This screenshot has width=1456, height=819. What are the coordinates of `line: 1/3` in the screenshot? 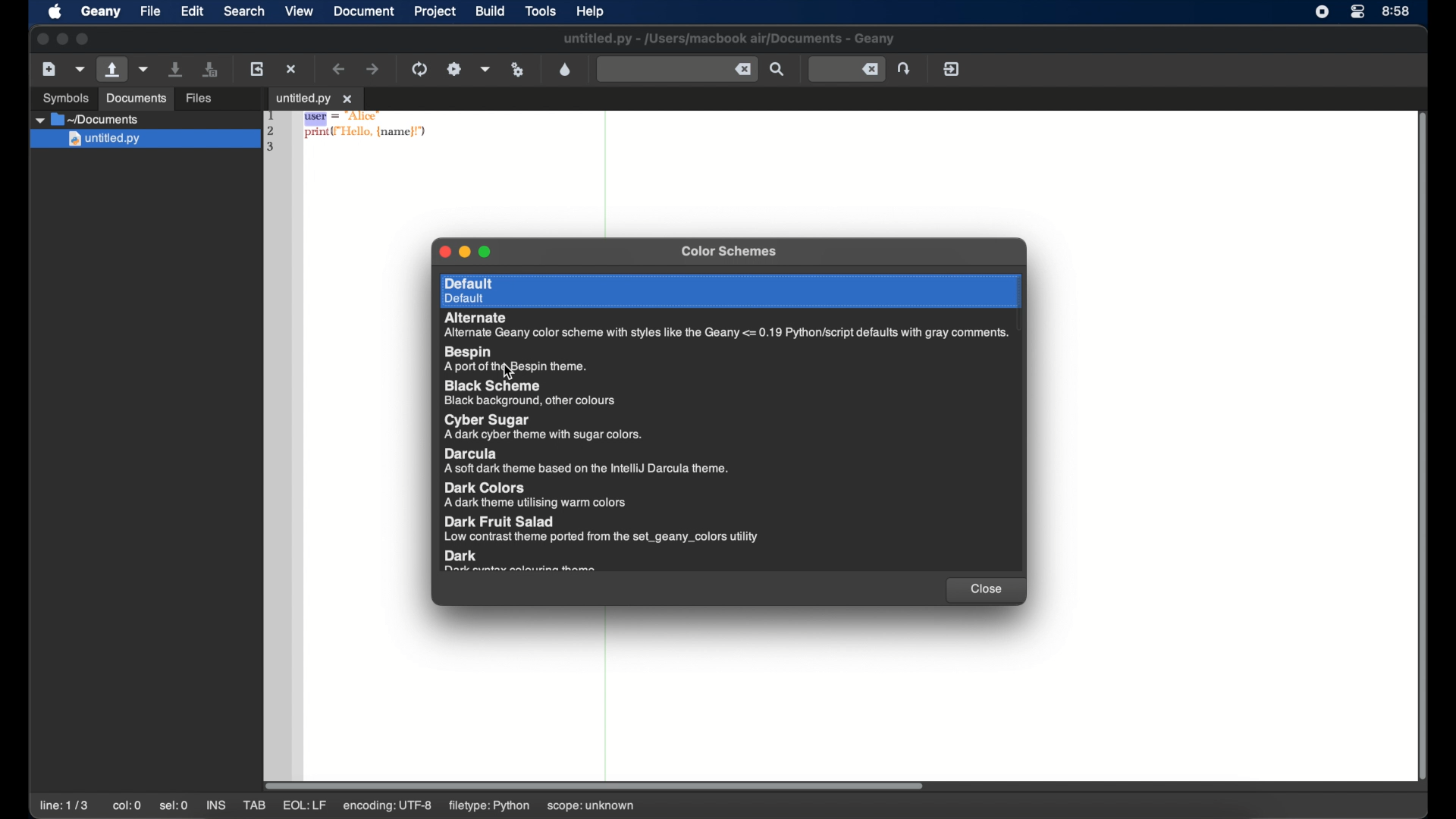 It's located at (64, 806).